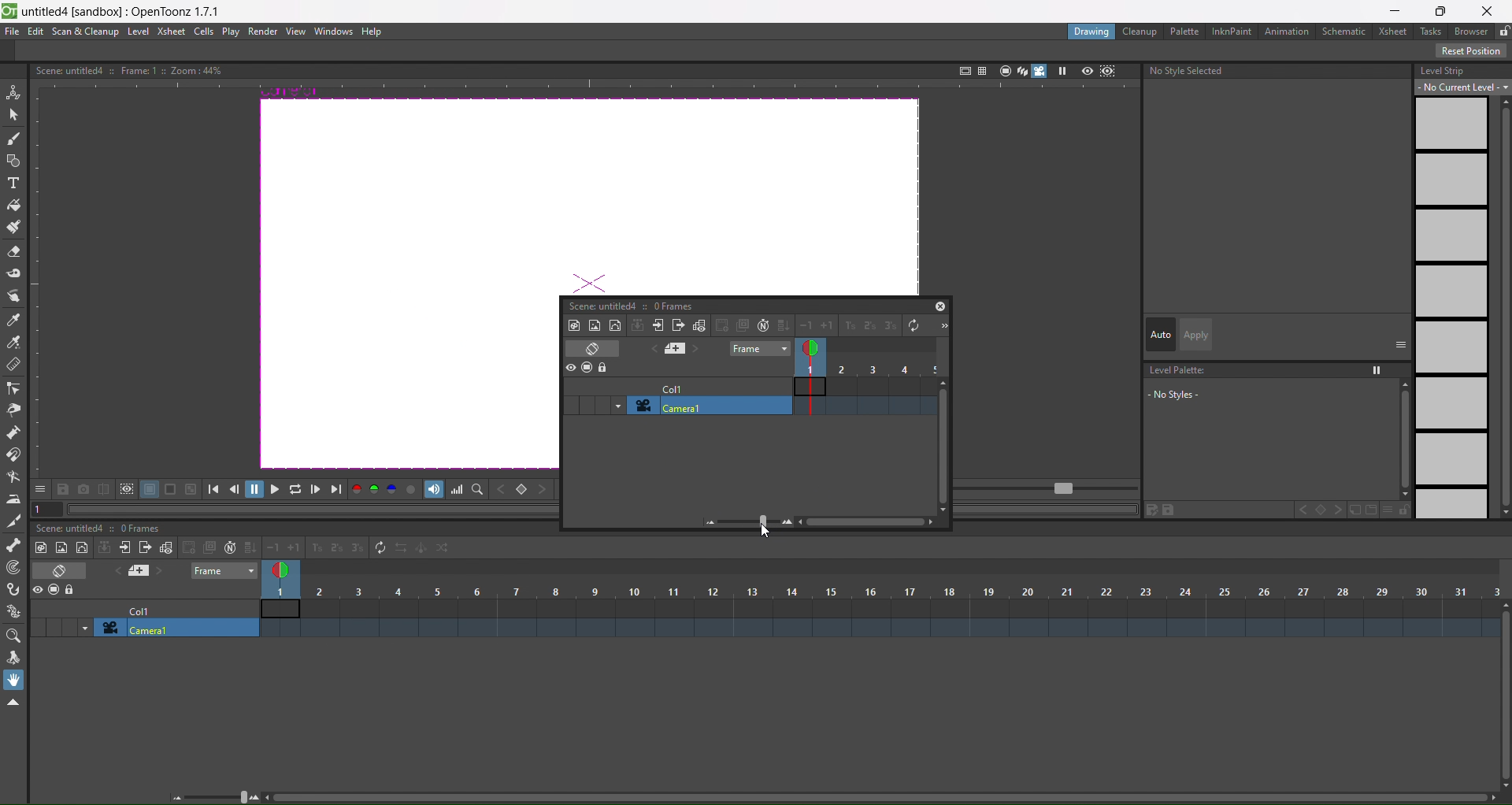 The image size is (1512, 805). What do you see at coordinates (700, 325) in the screenshot?
I see `toggle edit` at bounding box center [700, 325].